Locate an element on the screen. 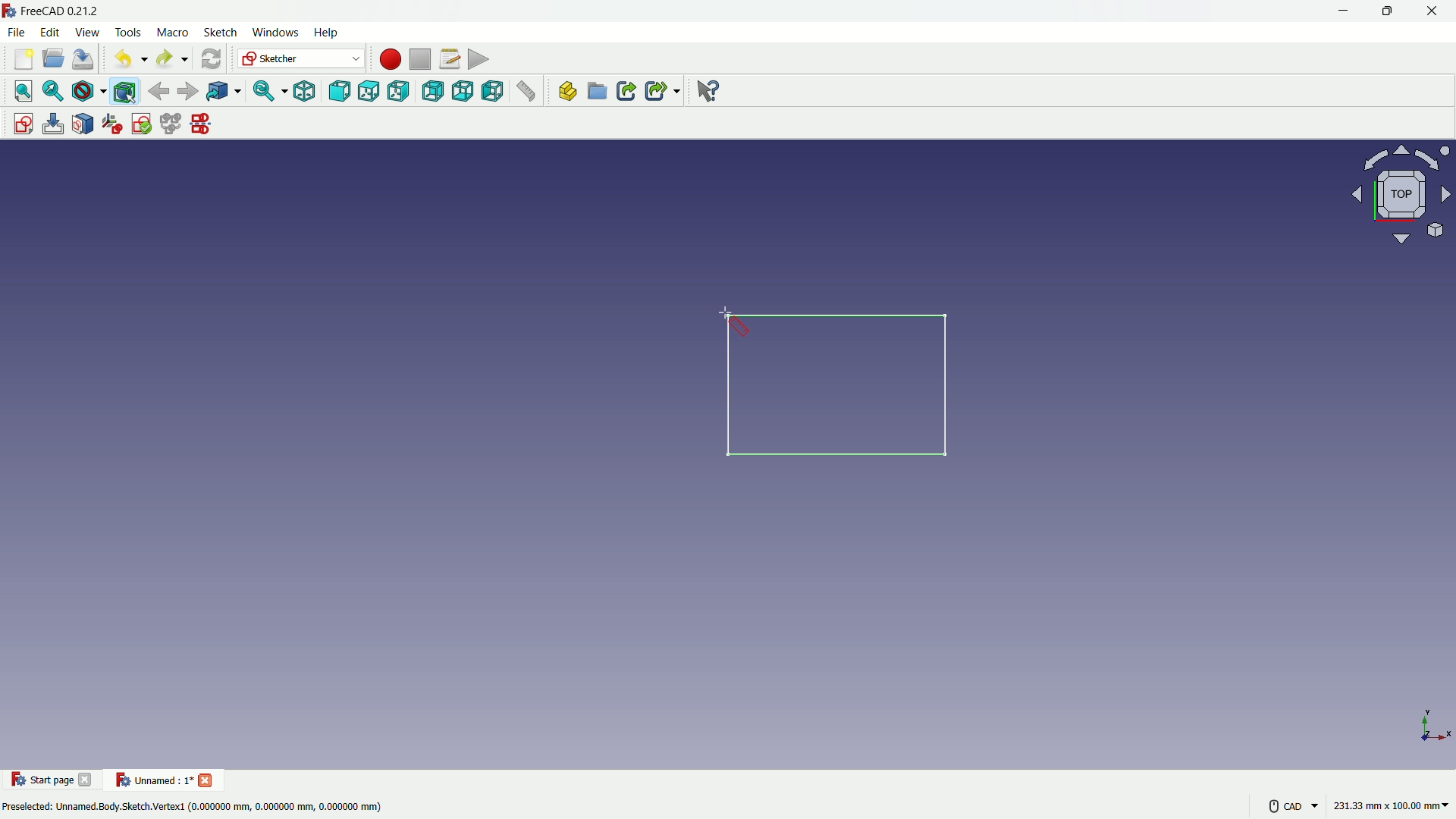 This screenshot has width=1456, height=819. stop macros is located at coordinates (418, 60).